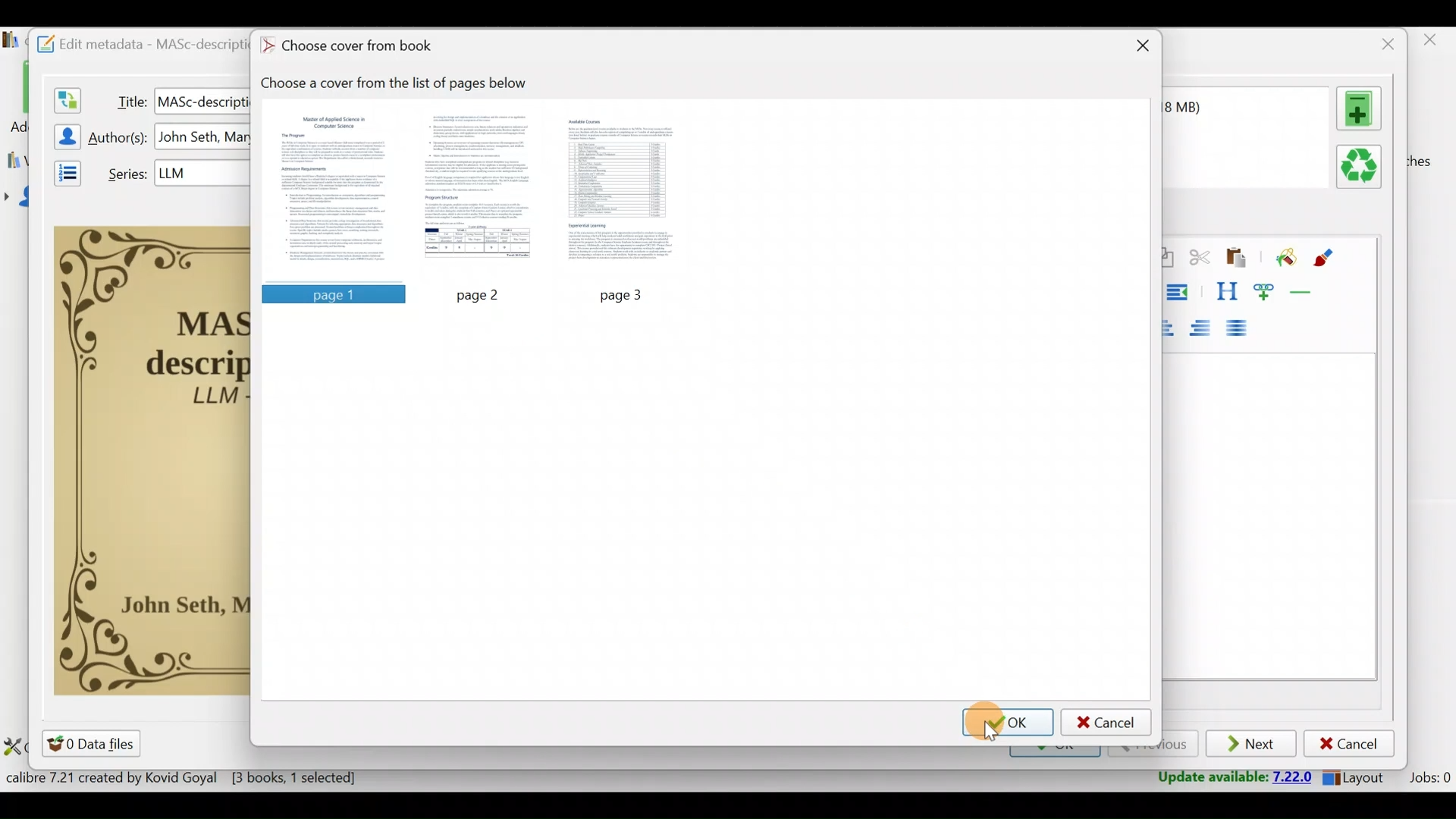 The width and height of the screenshot is (1456, 819). What do you see at coordinates (990, 731) in the screenshot?
I see `cursor` at bounding box center [990, 731].